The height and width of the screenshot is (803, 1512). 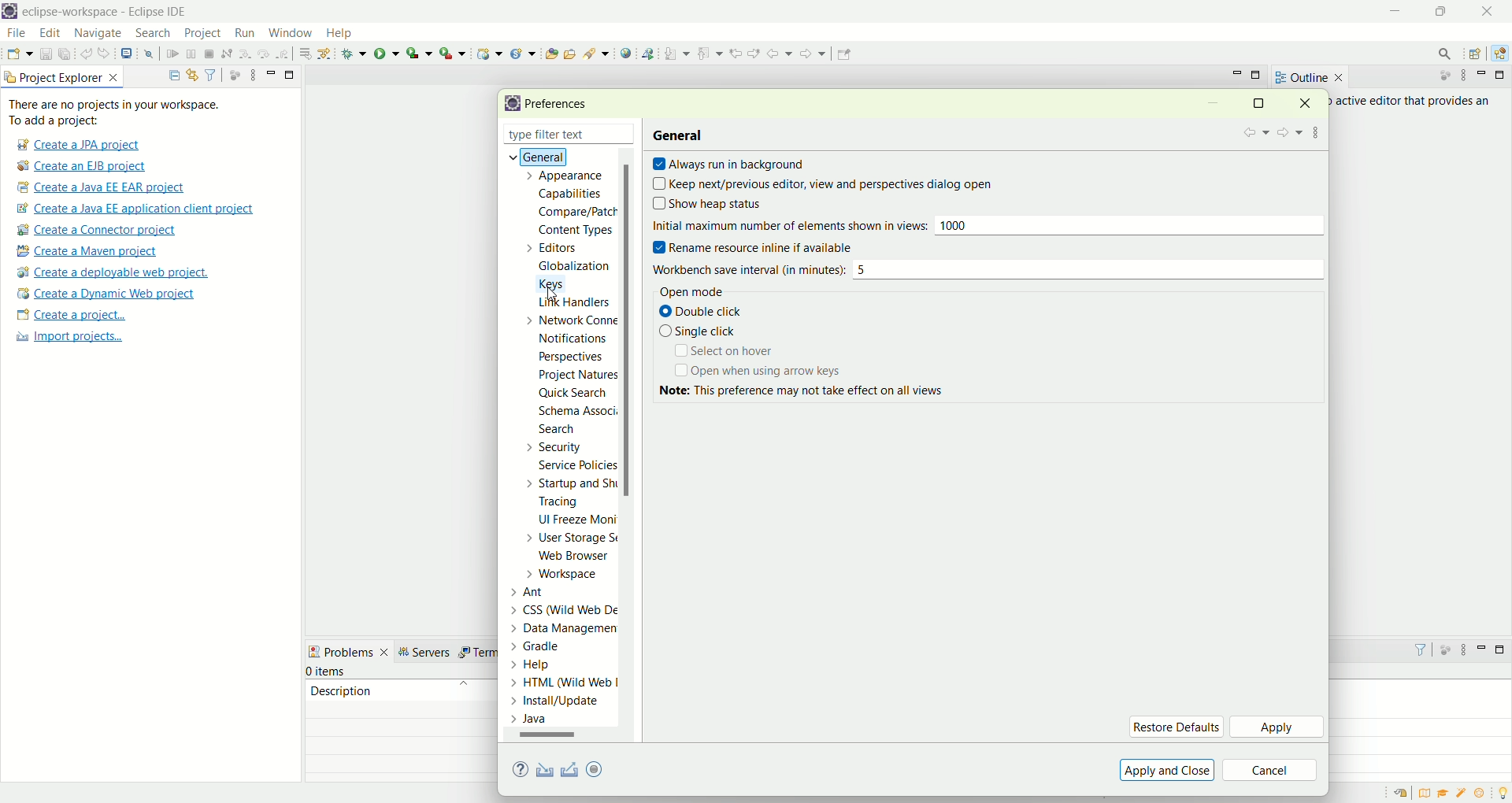 What do you see at coordinates (264, 53) in the screenshot?
I see `step over` at bounding box center [264, 53].